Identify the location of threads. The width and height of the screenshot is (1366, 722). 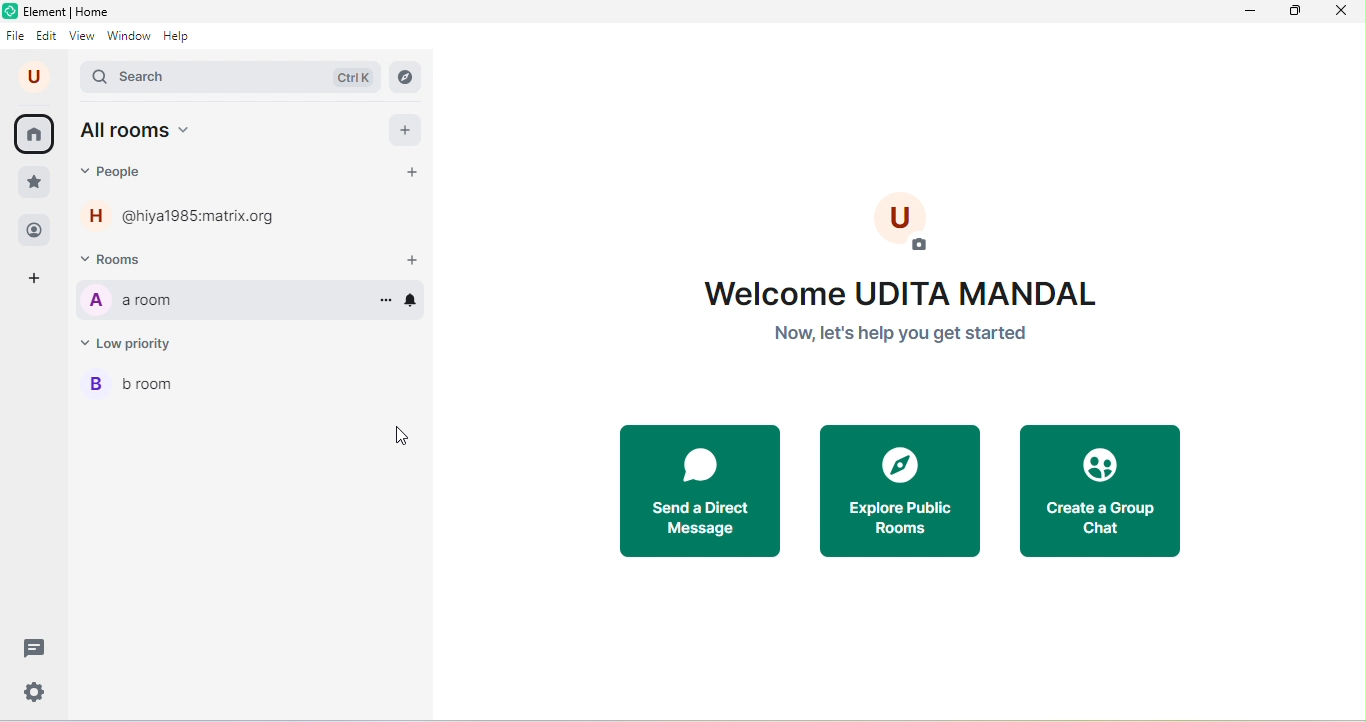
(38, 648).